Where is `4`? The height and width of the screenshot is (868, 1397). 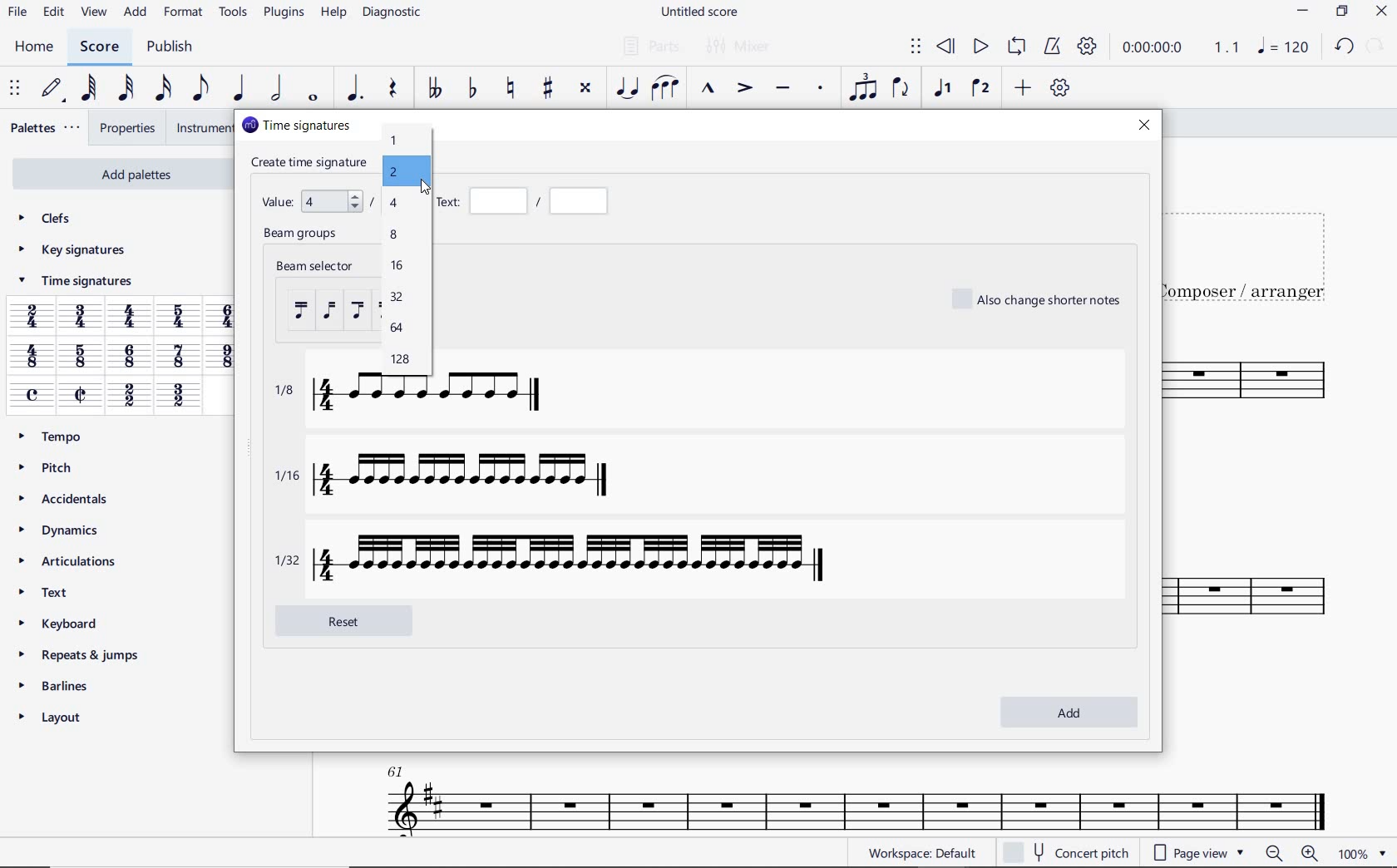
4 is located at coordinates (394, 204).